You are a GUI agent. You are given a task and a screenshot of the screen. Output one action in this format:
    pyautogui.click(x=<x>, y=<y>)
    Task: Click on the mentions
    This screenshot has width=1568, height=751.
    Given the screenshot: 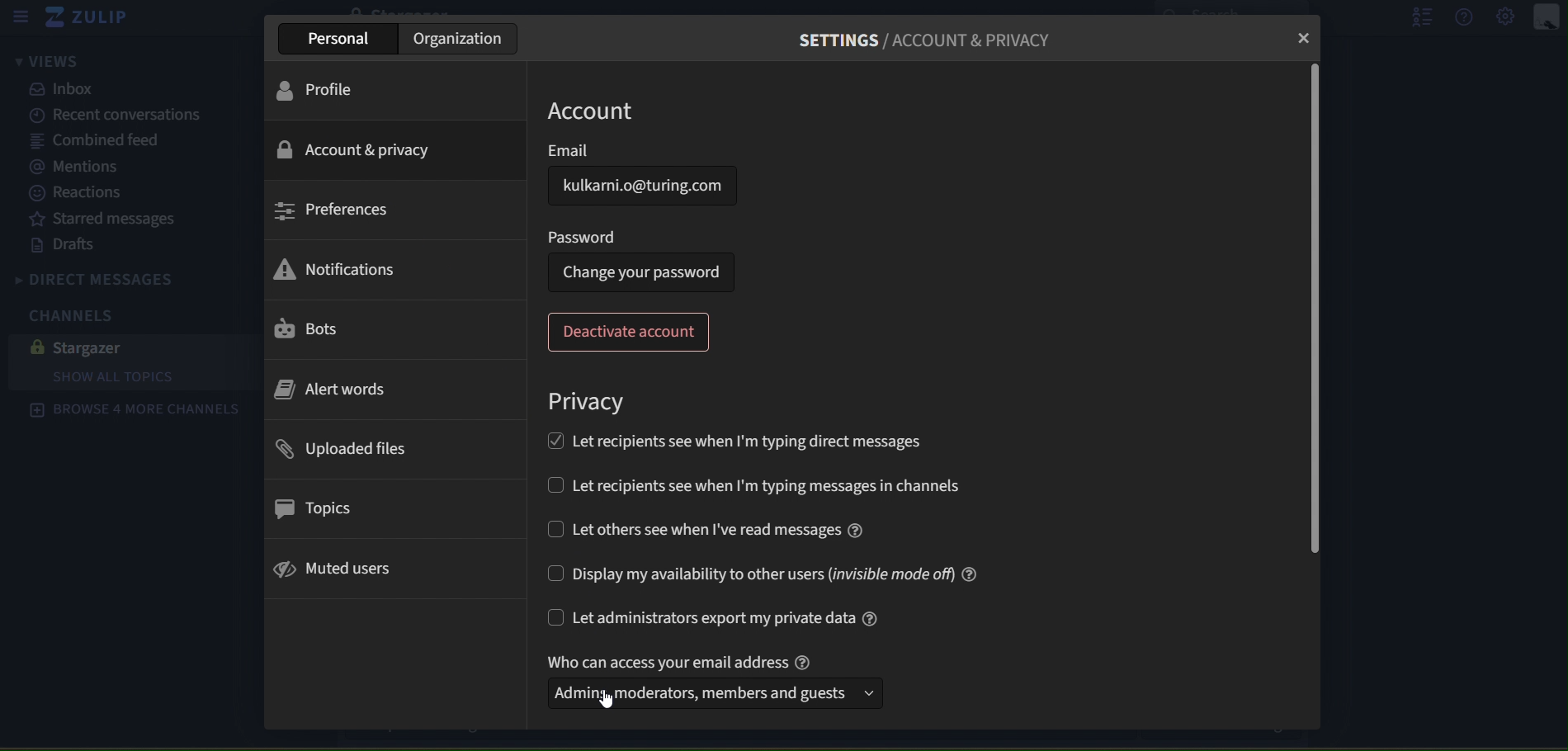 What is the action you would take?
    pyautogui.click(x=82, y=168)
    